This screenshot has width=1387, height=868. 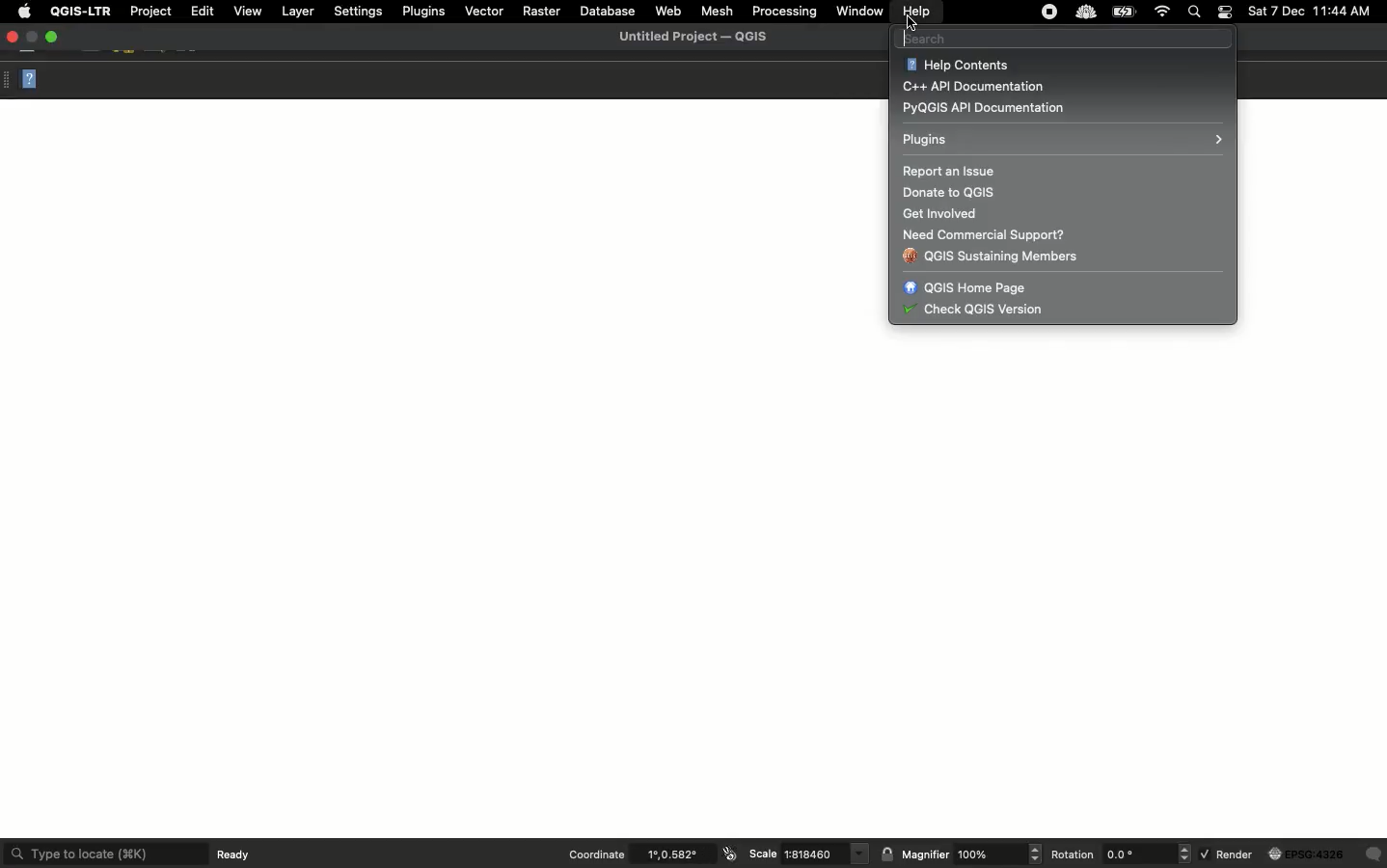 What do you see at coordinates (939, 214) in the screenshot?
I see `Get involved` at bounding box center [939, 214].